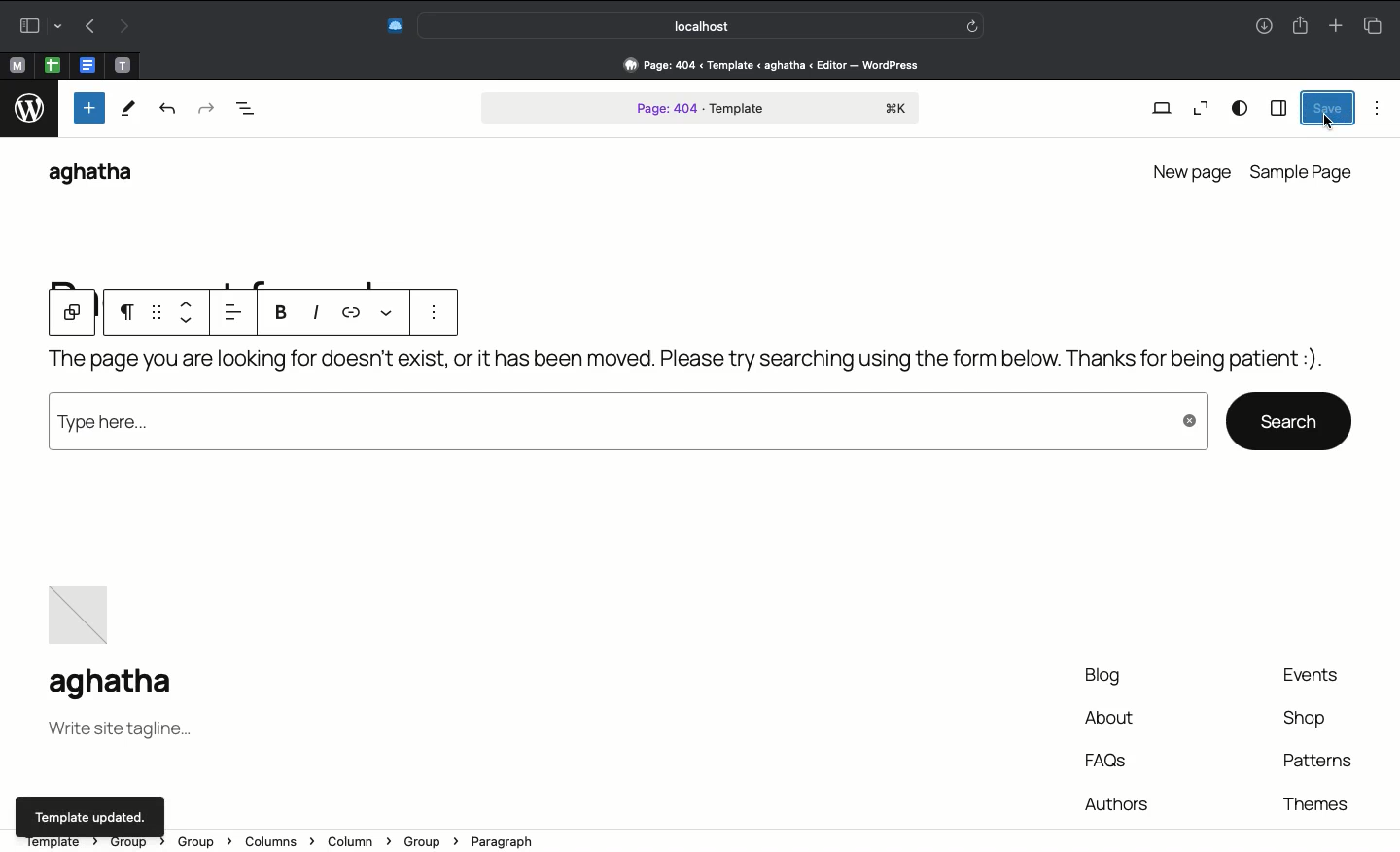  Describe the element at coordinates (130, 315) in the screenshot. I see `Paragraph` at that location.